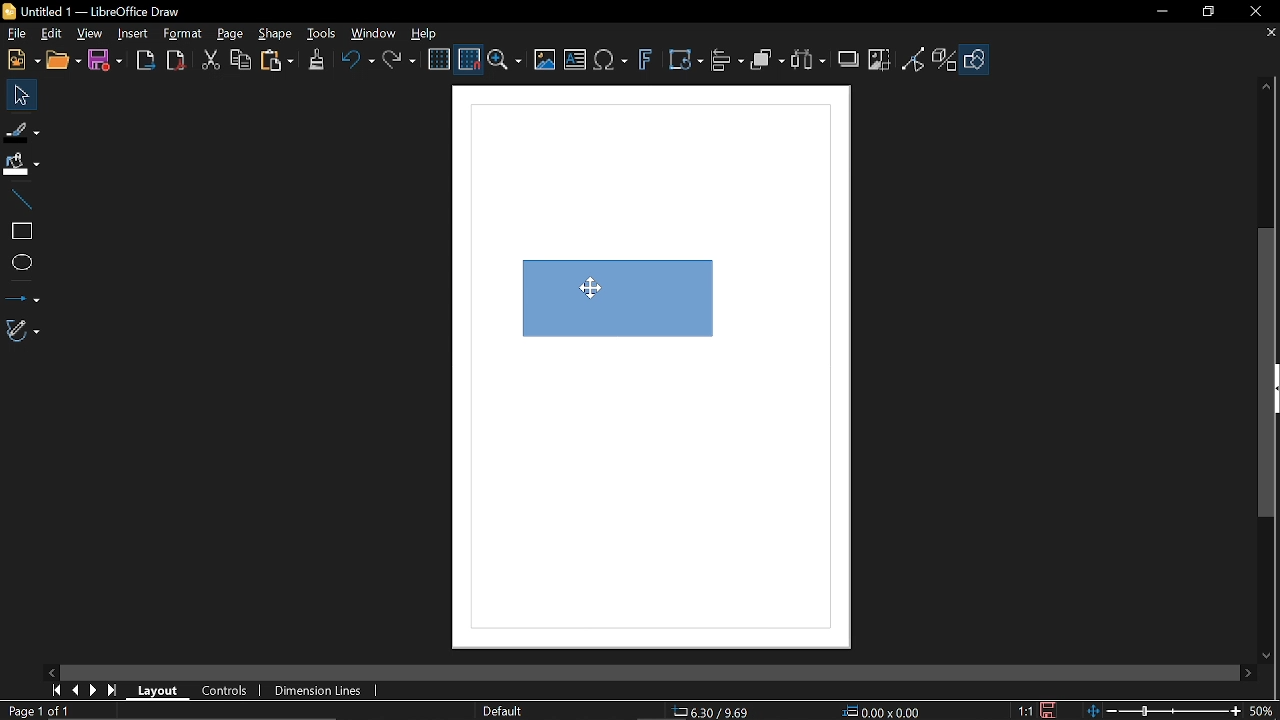 The width and height of the screenshot is (1280, 720). What do you see at coordinates (728, 63) in the screenshot?
I see `Align` at bounding box center [728, 63].